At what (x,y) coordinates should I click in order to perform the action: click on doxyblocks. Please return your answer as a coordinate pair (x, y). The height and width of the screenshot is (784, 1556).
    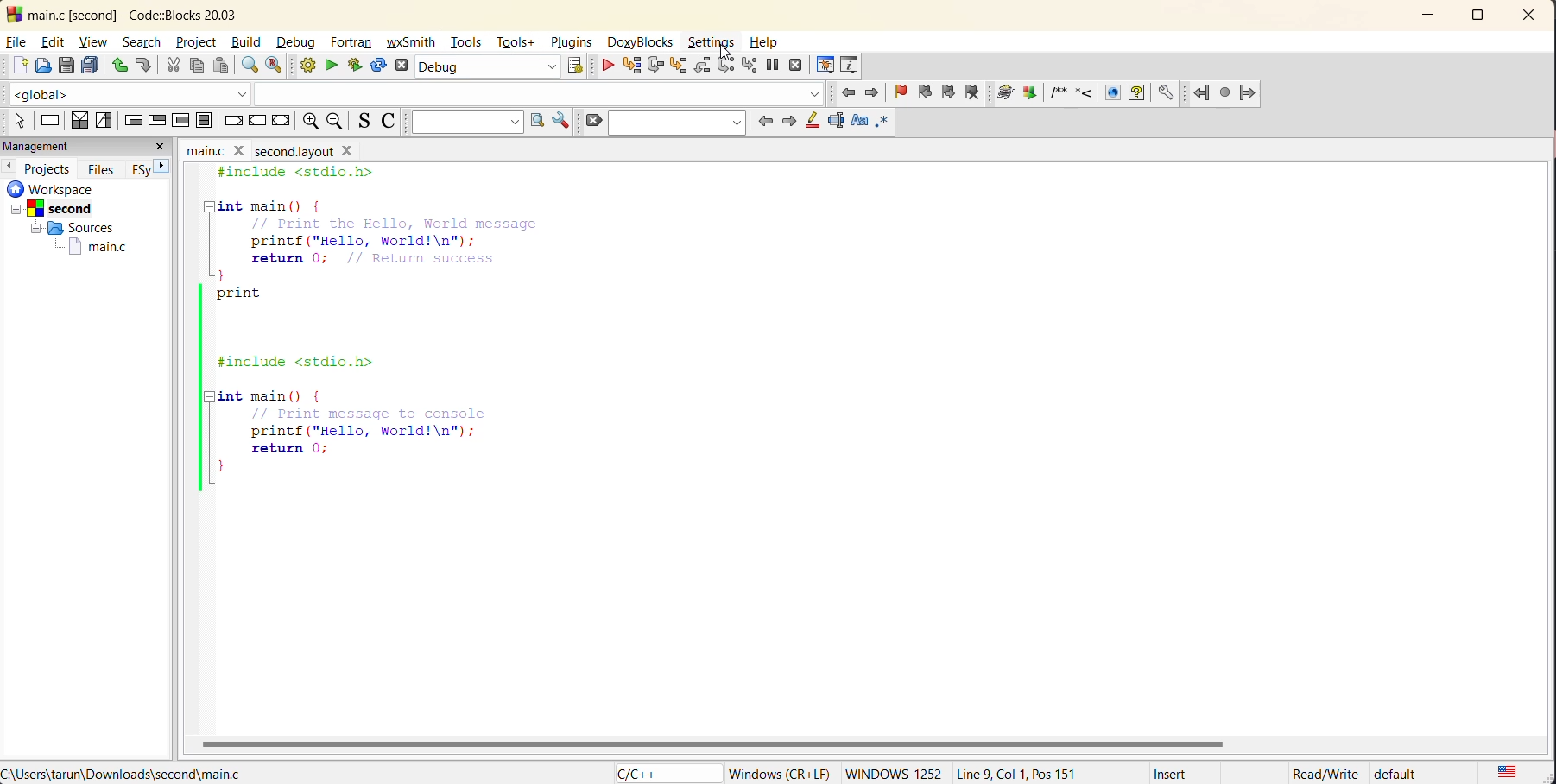
    Looking at the image, I should click on (642, 41).